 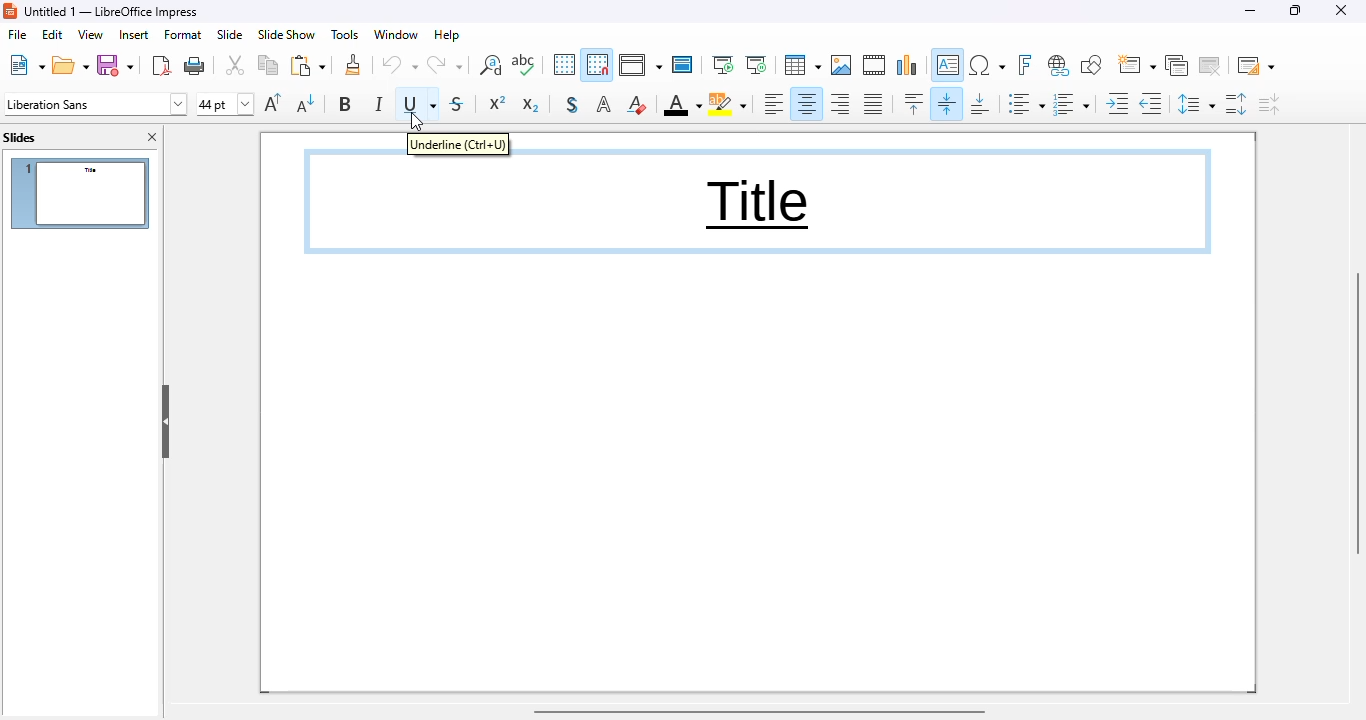 What do you see at coordinates (1026, 102) in the screenshot?
I see `toggle unordered list` at bounding box center [1026, 102].